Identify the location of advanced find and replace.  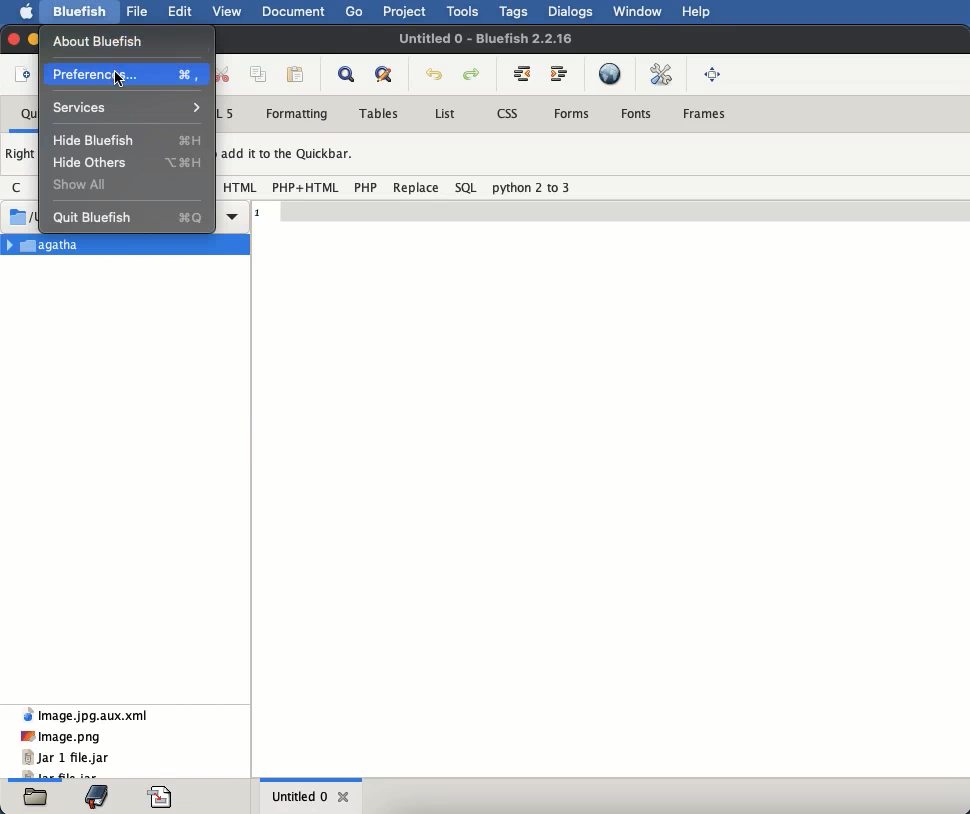
(388, 75).